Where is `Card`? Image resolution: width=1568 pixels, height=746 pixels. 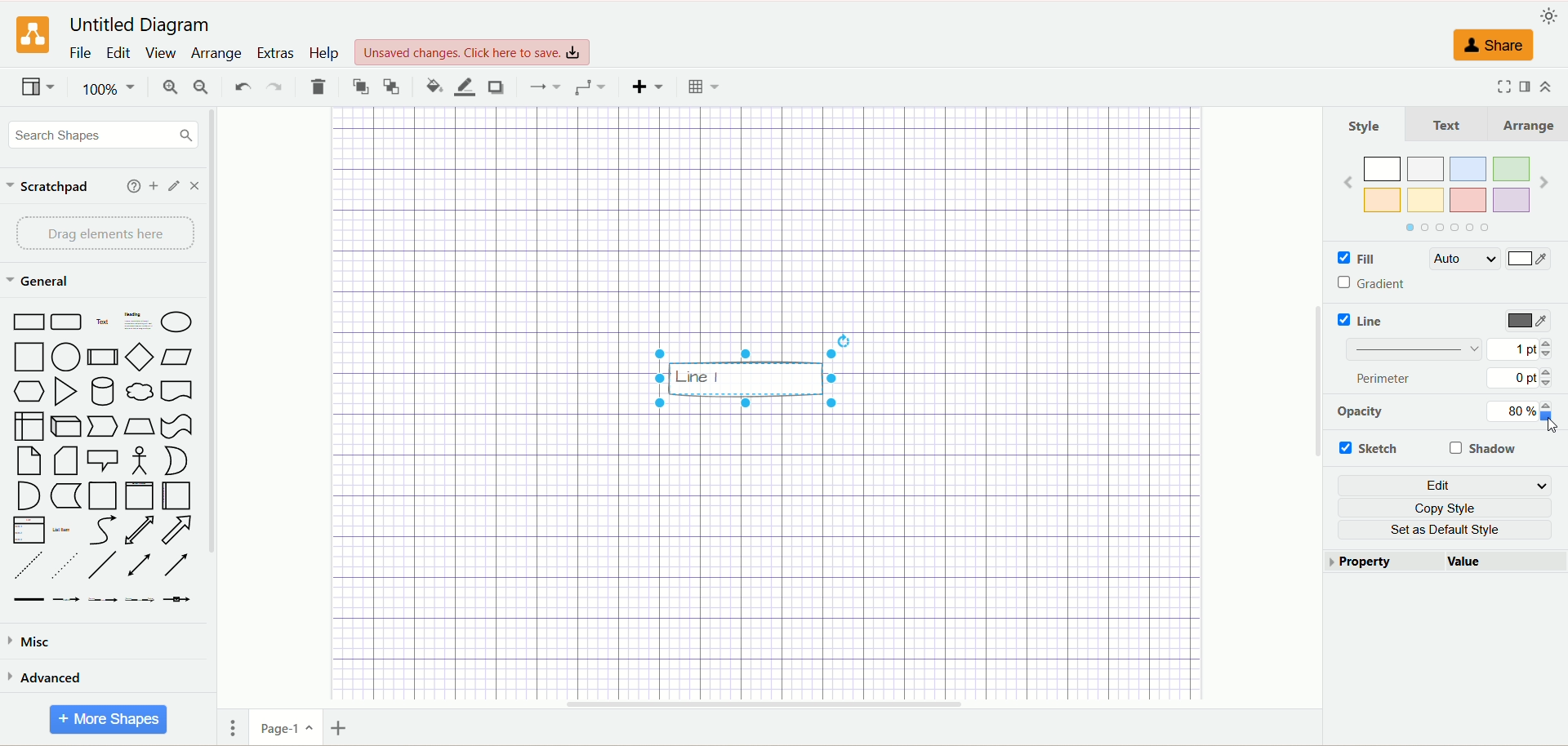
Card is located at coordinates (65, 461).